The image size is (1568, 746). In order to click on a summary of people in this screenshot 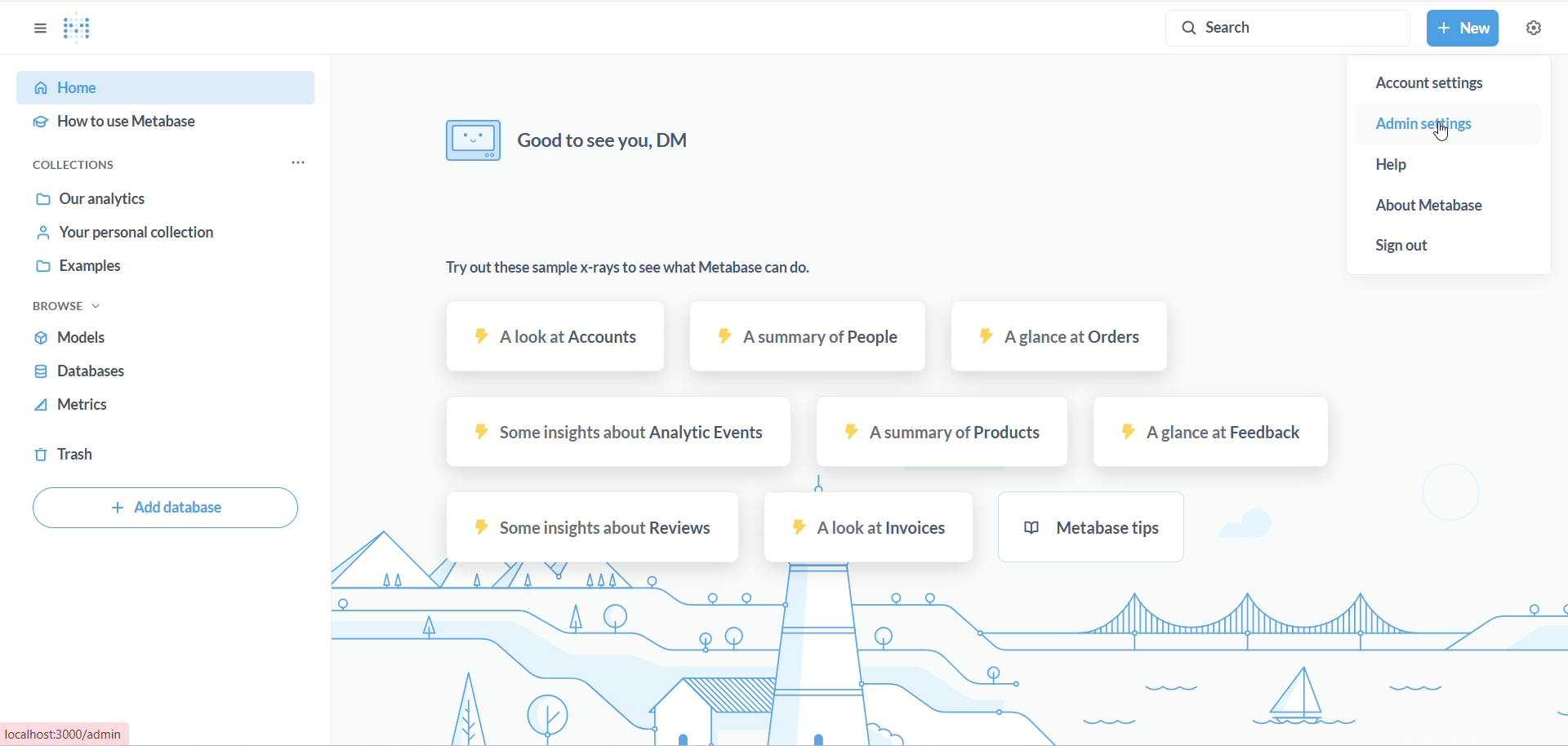, I will do `click(807, 338)`.